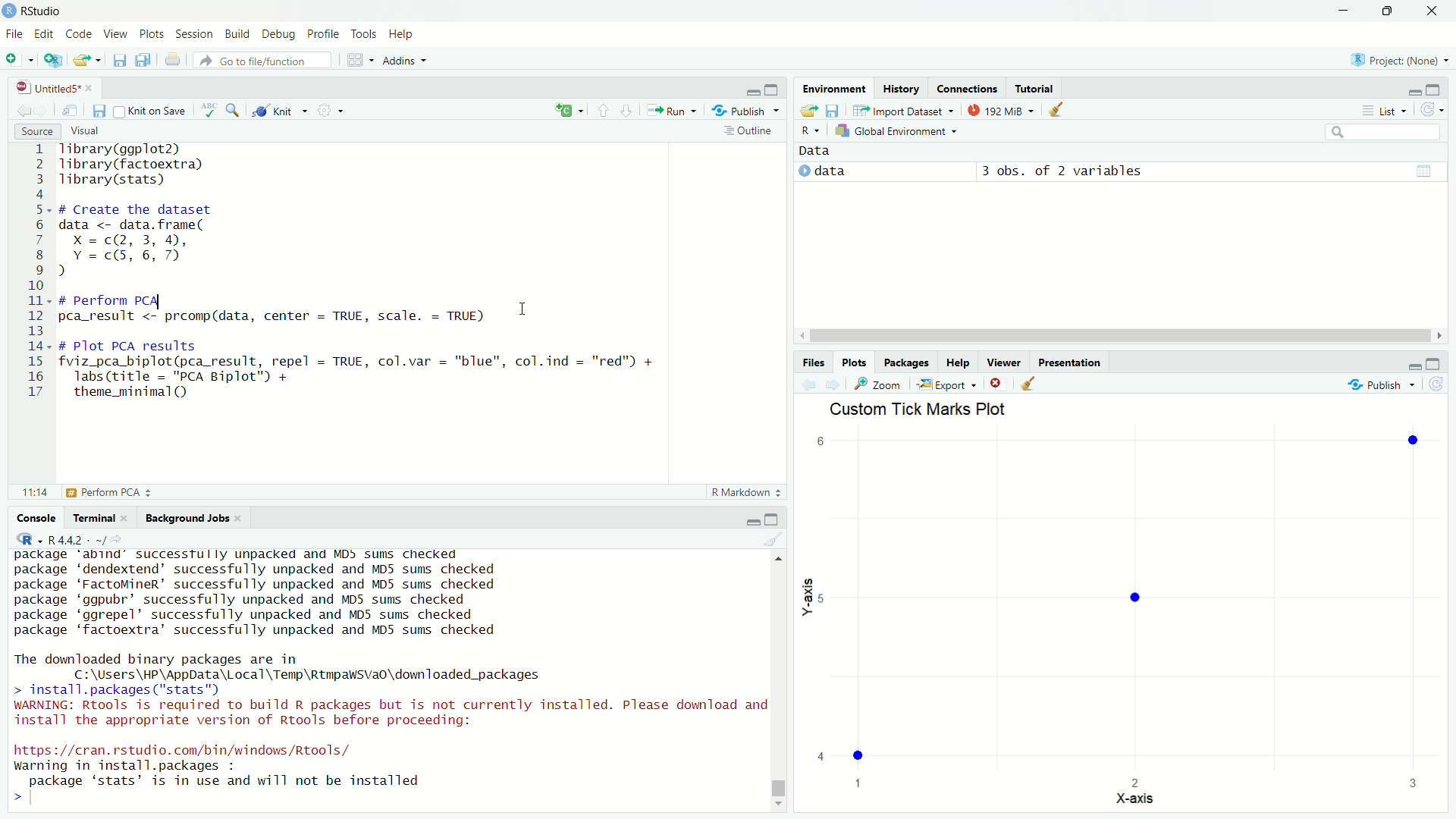 Image resolution: width=1456 pixels, height=819 pixels. What do you see at coordinates (899, 131) in the screenshot?
I see `global environment` at bounding box center [899, 131].